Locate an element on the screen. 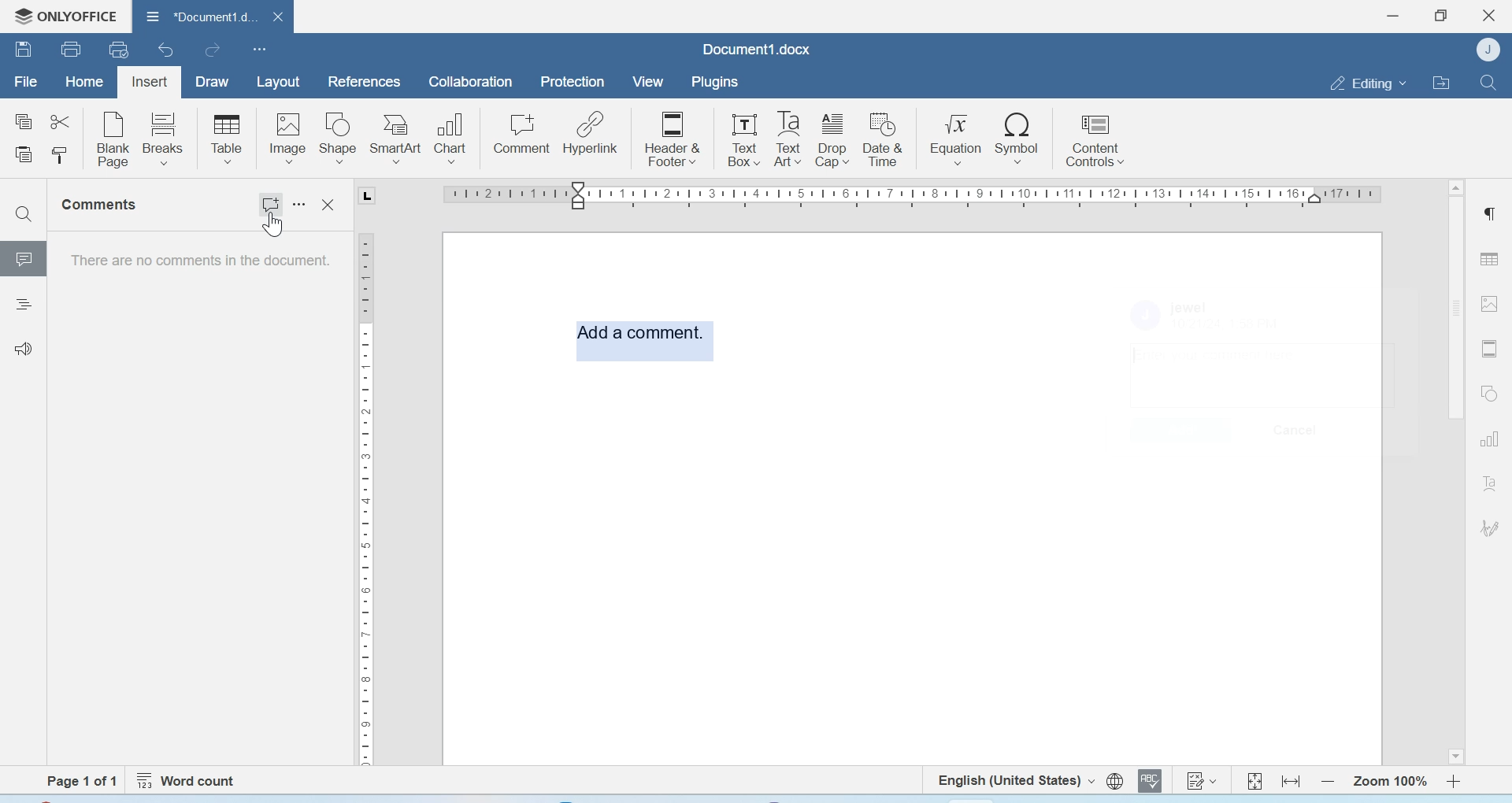 The height and width of the screenshot is (803, 1512).  is located at coordinates (1488, 50).